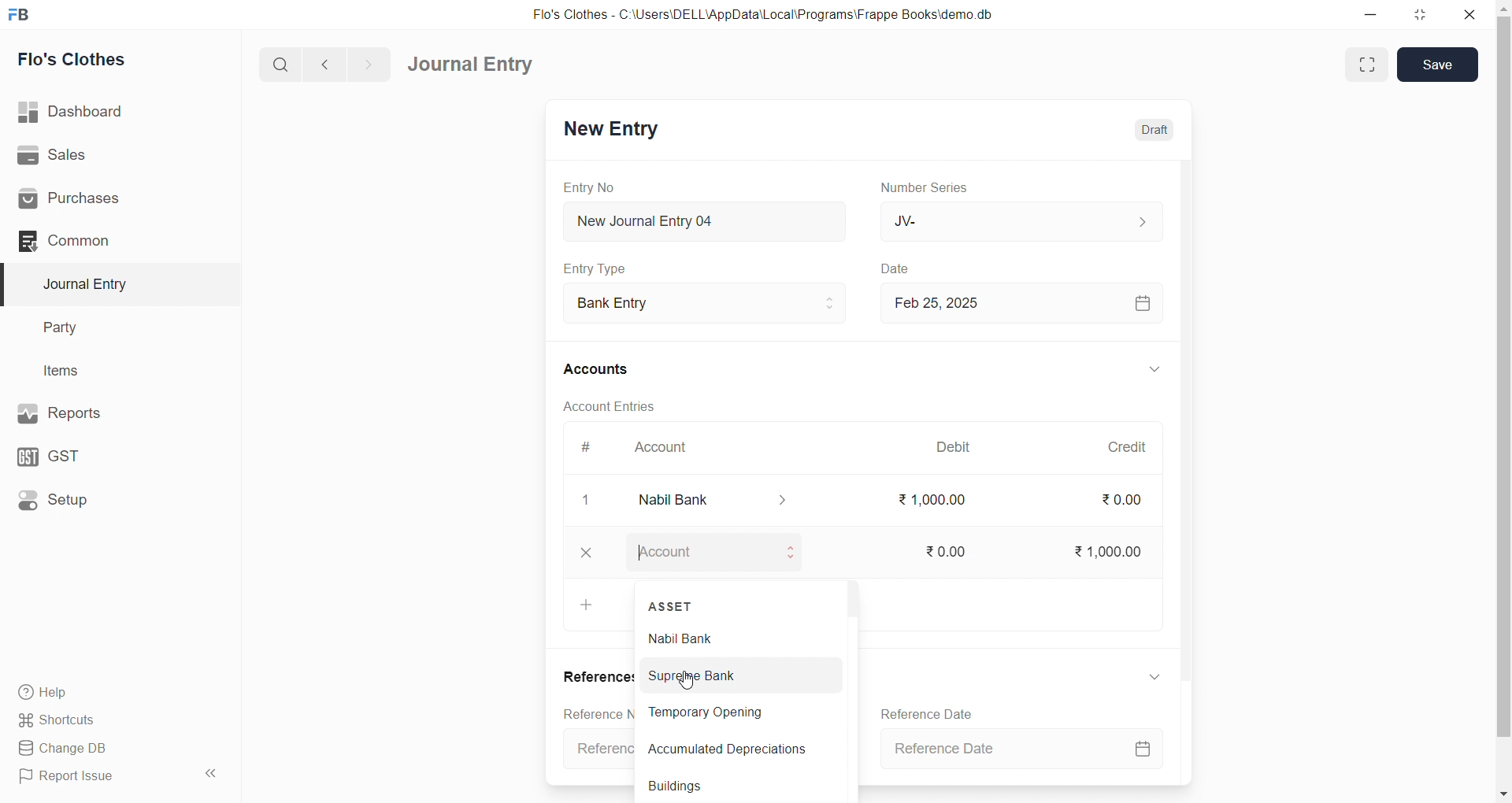 Image resolution: width=1512 pixels, height=803 pixels. I want to click on Save, so click(1437, 65).